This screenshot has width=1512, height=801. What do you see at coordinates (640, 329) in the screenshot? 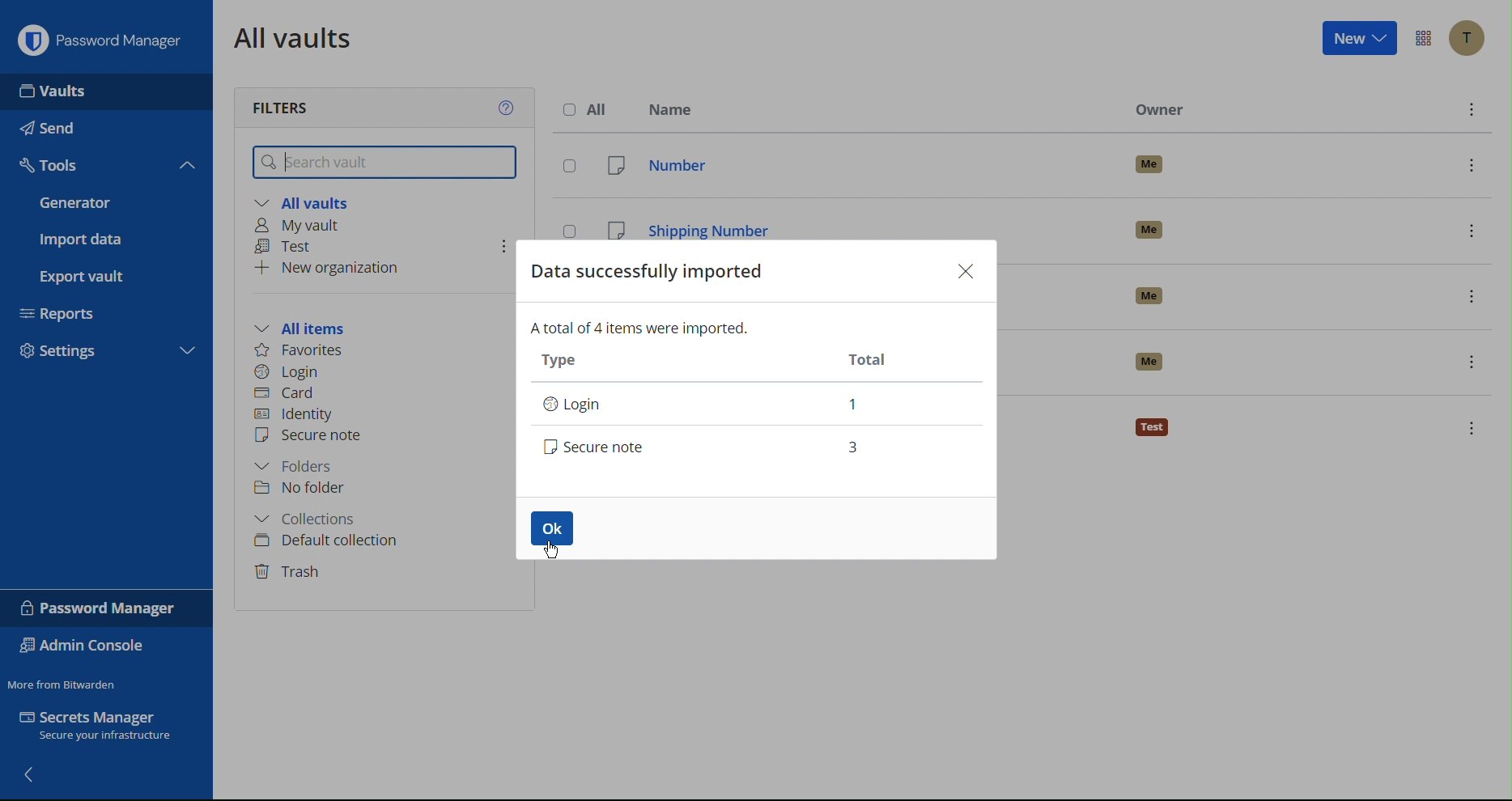
I see `A total of 4 items were imported` at bounding box center [640, 329].